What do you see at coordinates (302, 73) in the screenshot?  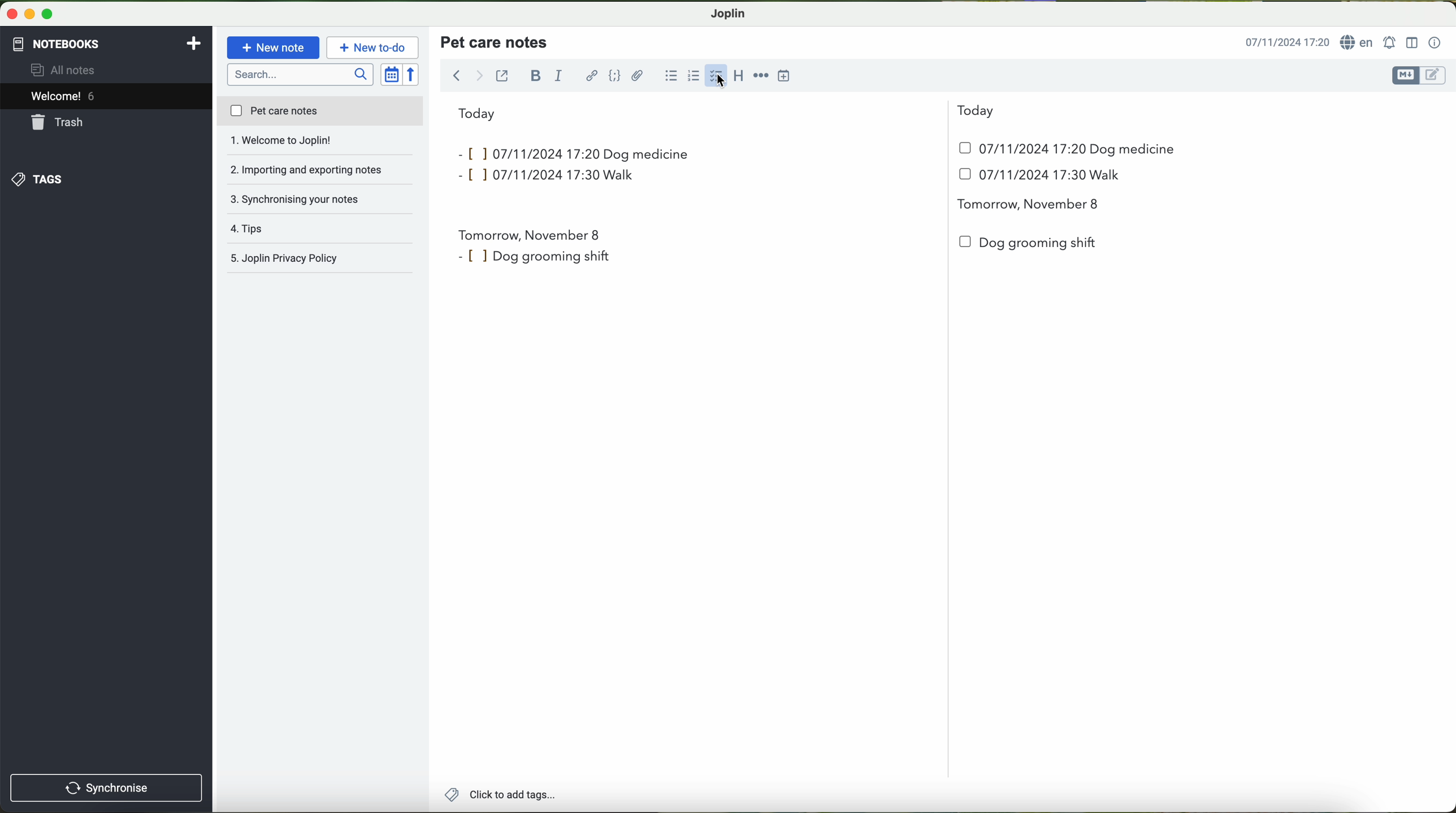 I see `search bar` at bounding box center [302, 73].